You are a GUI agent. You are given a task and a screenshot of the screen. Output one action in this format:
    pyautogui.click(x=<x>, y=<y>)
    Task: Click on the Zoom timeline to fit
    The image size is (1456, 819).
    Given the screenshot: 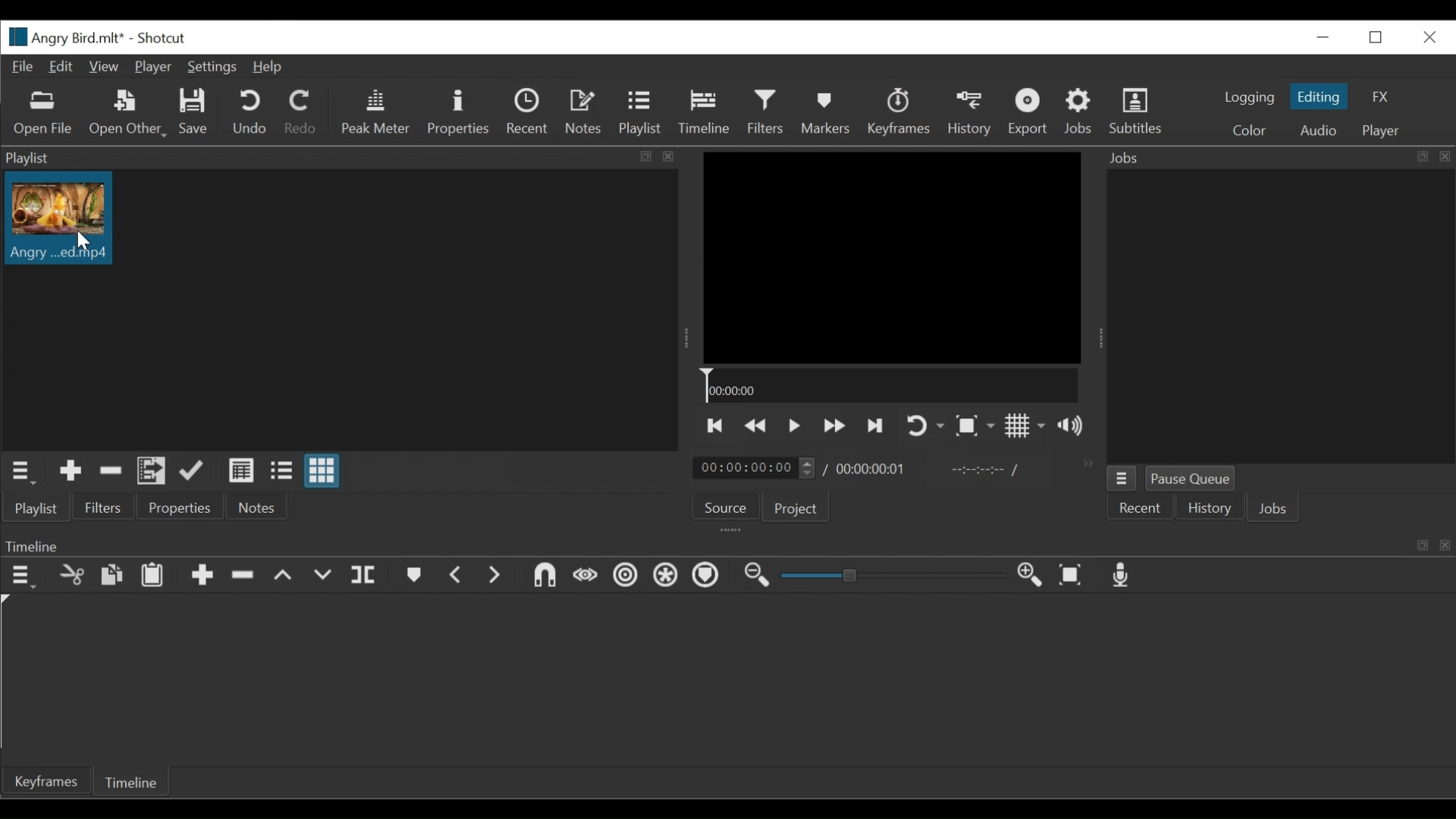 What is the action you would take?
    pyautogui.click(x=1073, y=577)
    